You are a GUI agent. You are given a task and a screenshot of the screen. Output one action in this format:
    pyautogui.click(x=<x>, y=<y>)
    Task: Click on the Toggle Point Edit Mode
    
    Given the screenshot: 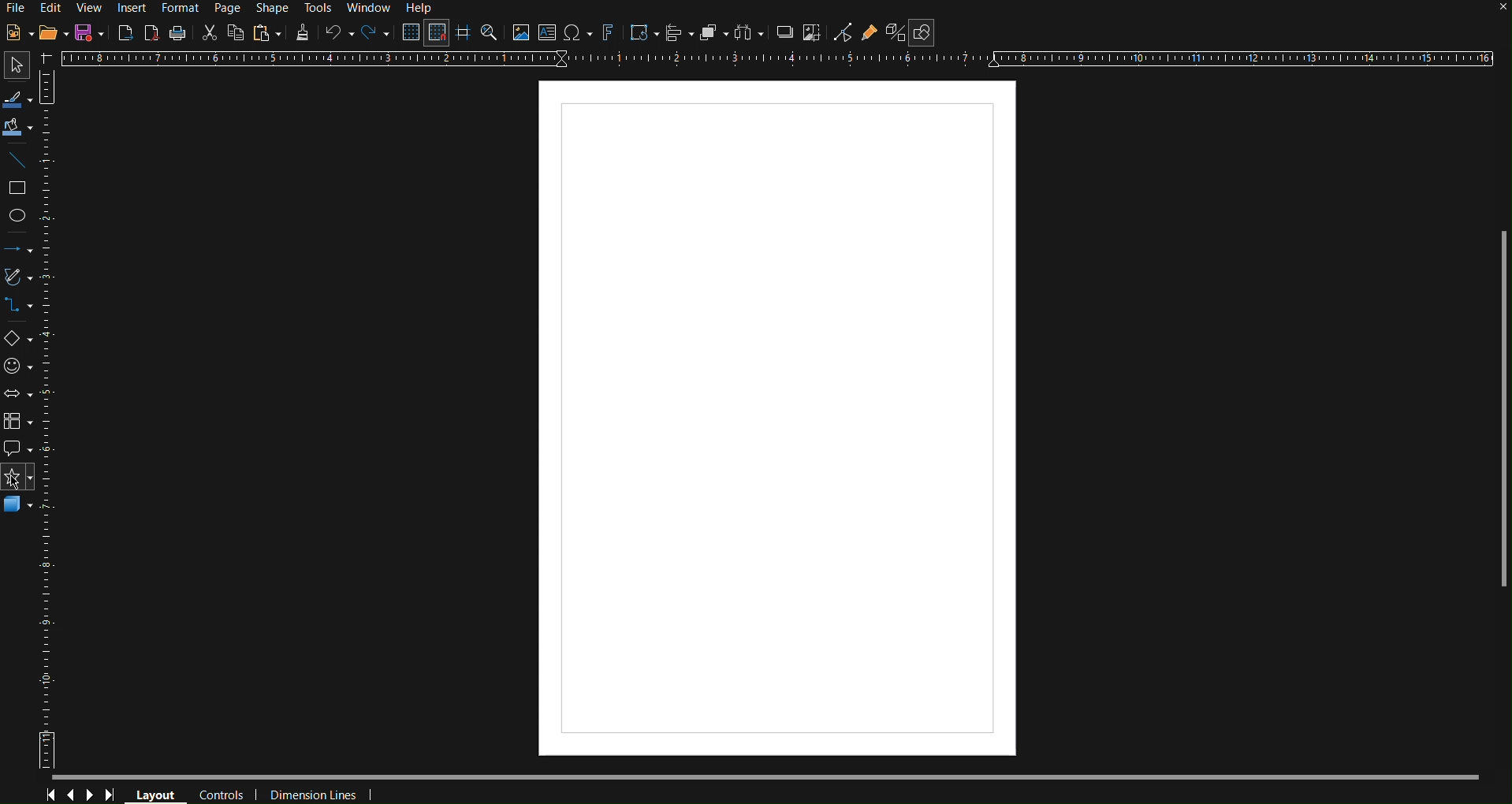 What is the action you would take?
    pyautogui.click(x=844, y=33)
    